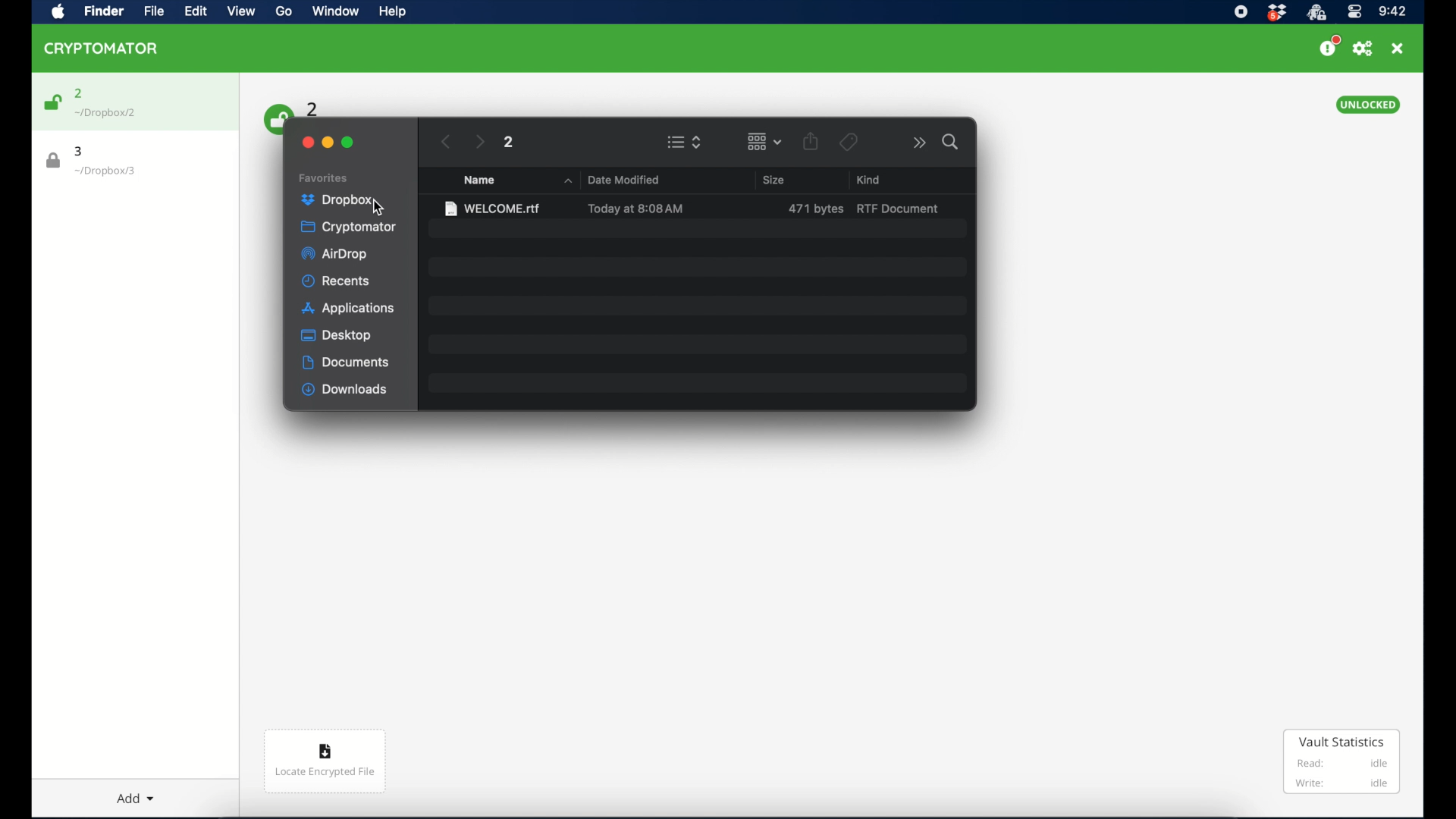 The height and width of the screenshot is (819, 1456). I want to click on name dropdown, so click(568, 180).